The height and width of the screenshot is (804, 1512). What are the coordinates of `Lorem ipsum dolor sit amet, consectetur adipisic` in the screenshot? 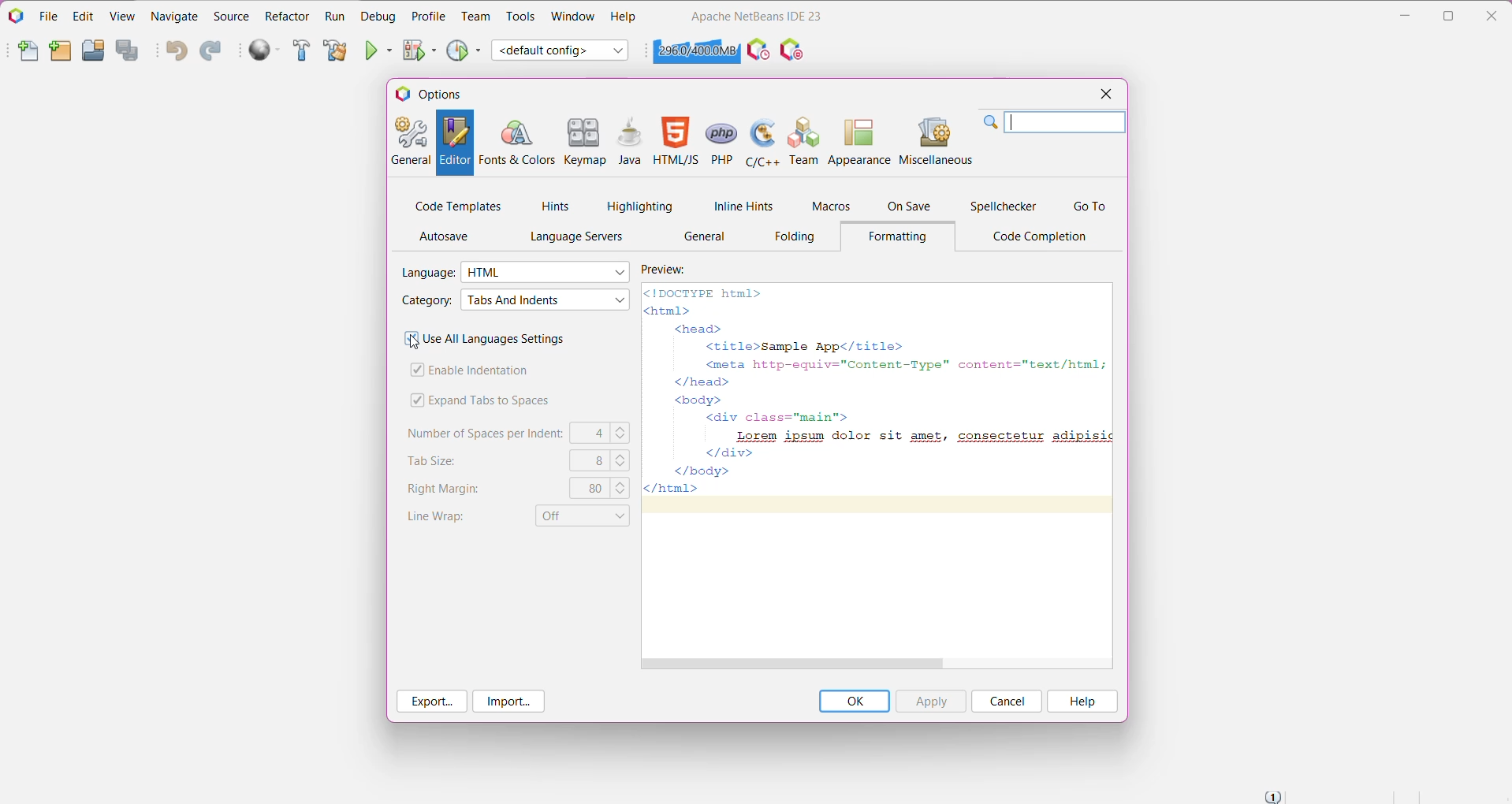 It's located at (918, 435).